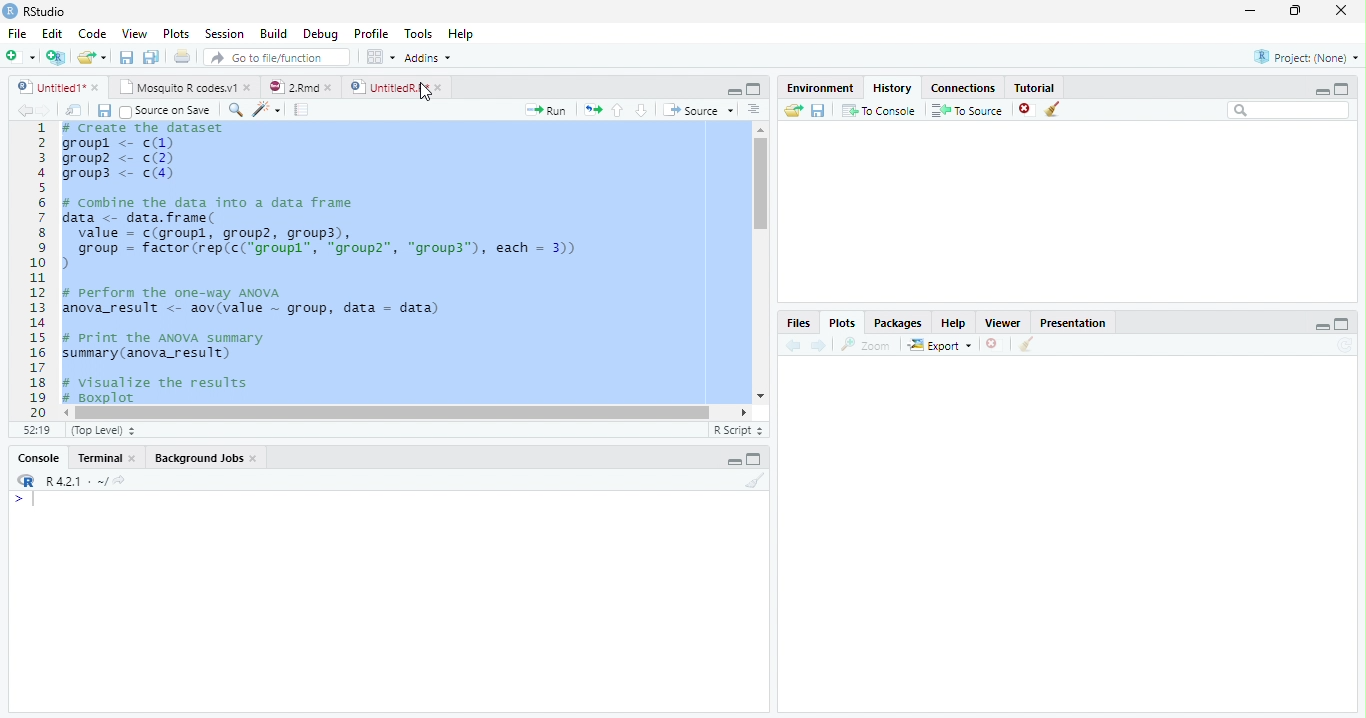  Describe the element at coordinates (900, 323) in the screenshot. I see `Packages` at that location.